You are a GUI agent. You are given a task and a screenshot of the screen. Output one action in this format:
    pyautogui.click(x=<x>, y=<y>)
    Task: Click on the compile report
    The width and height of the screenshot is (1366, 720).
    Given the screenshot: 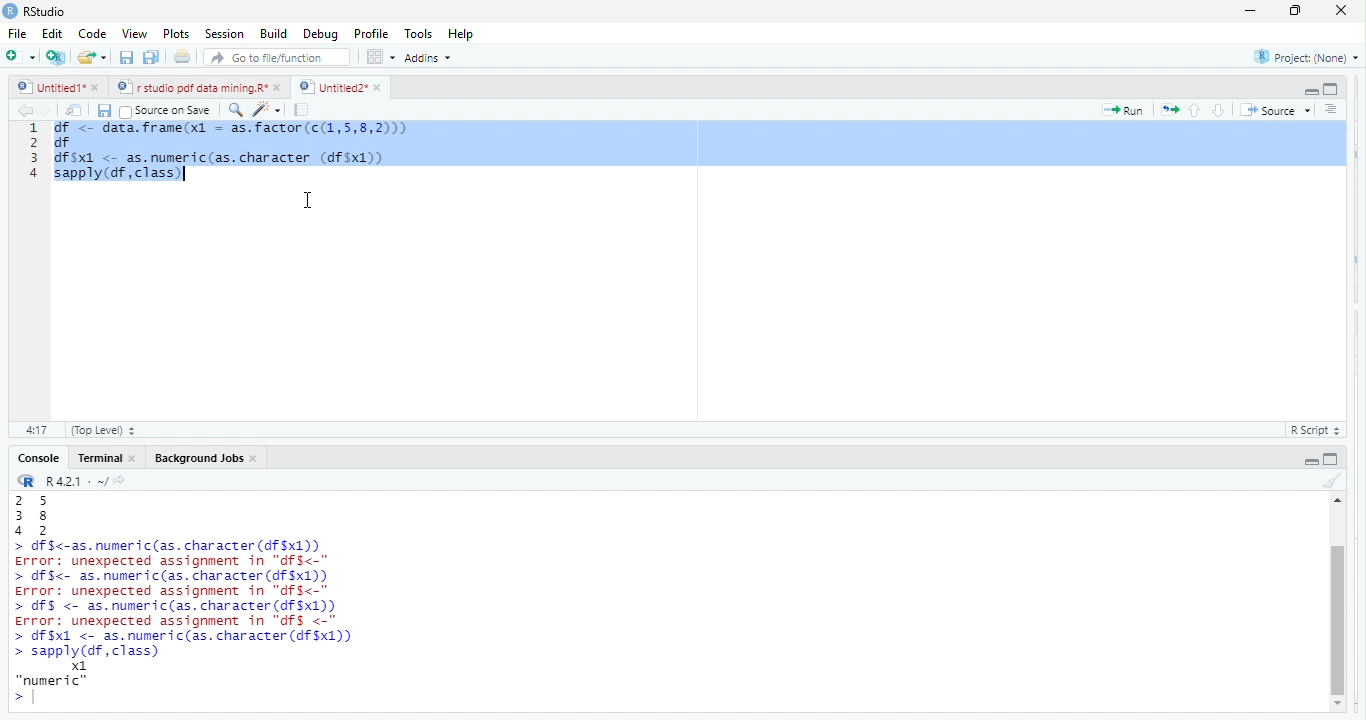 What is the action you would take?
    pyautogui.click(x=303, y=110)
    